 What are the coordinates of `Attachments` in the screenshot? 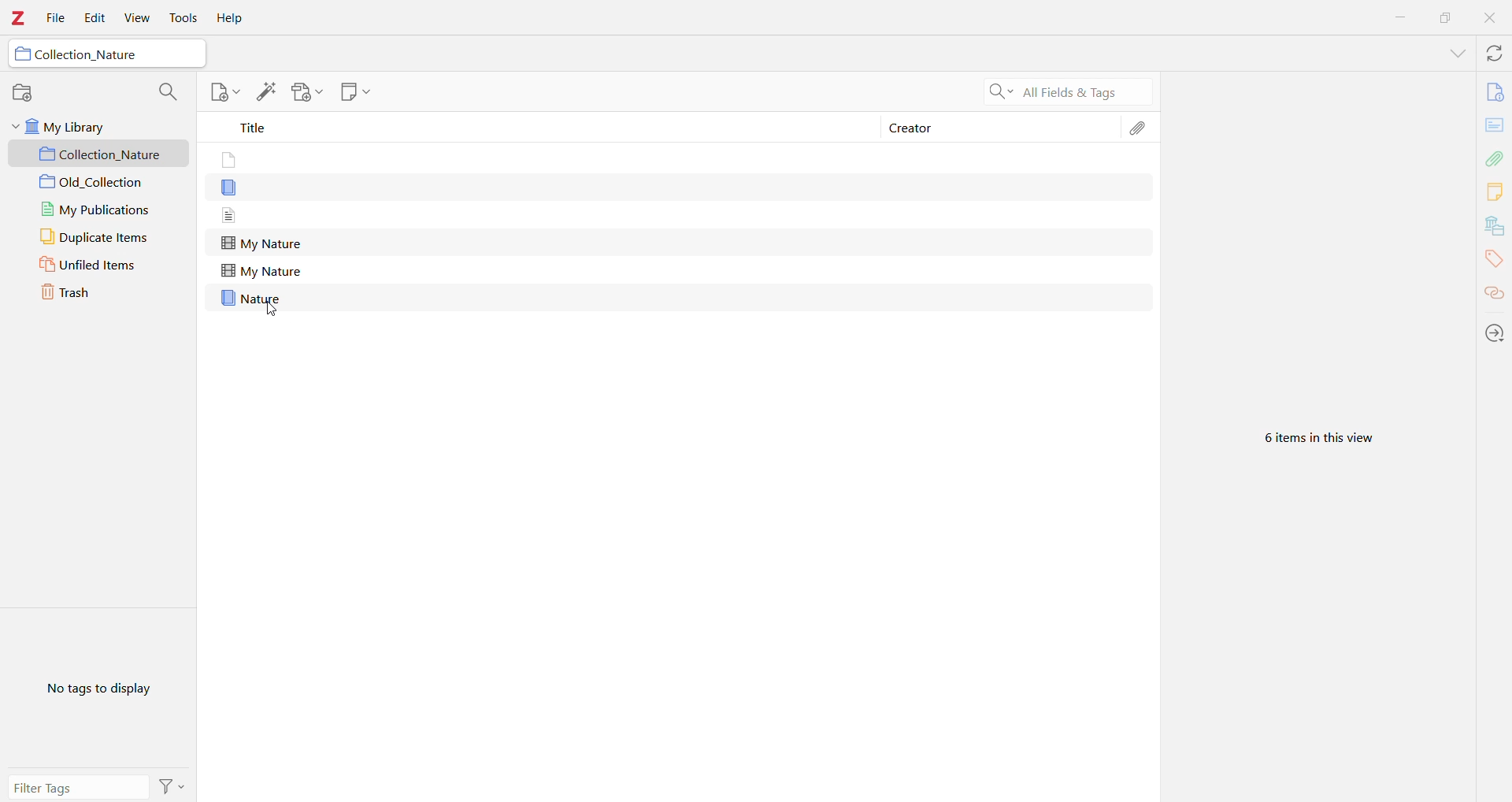 It's located at (1495, 158).